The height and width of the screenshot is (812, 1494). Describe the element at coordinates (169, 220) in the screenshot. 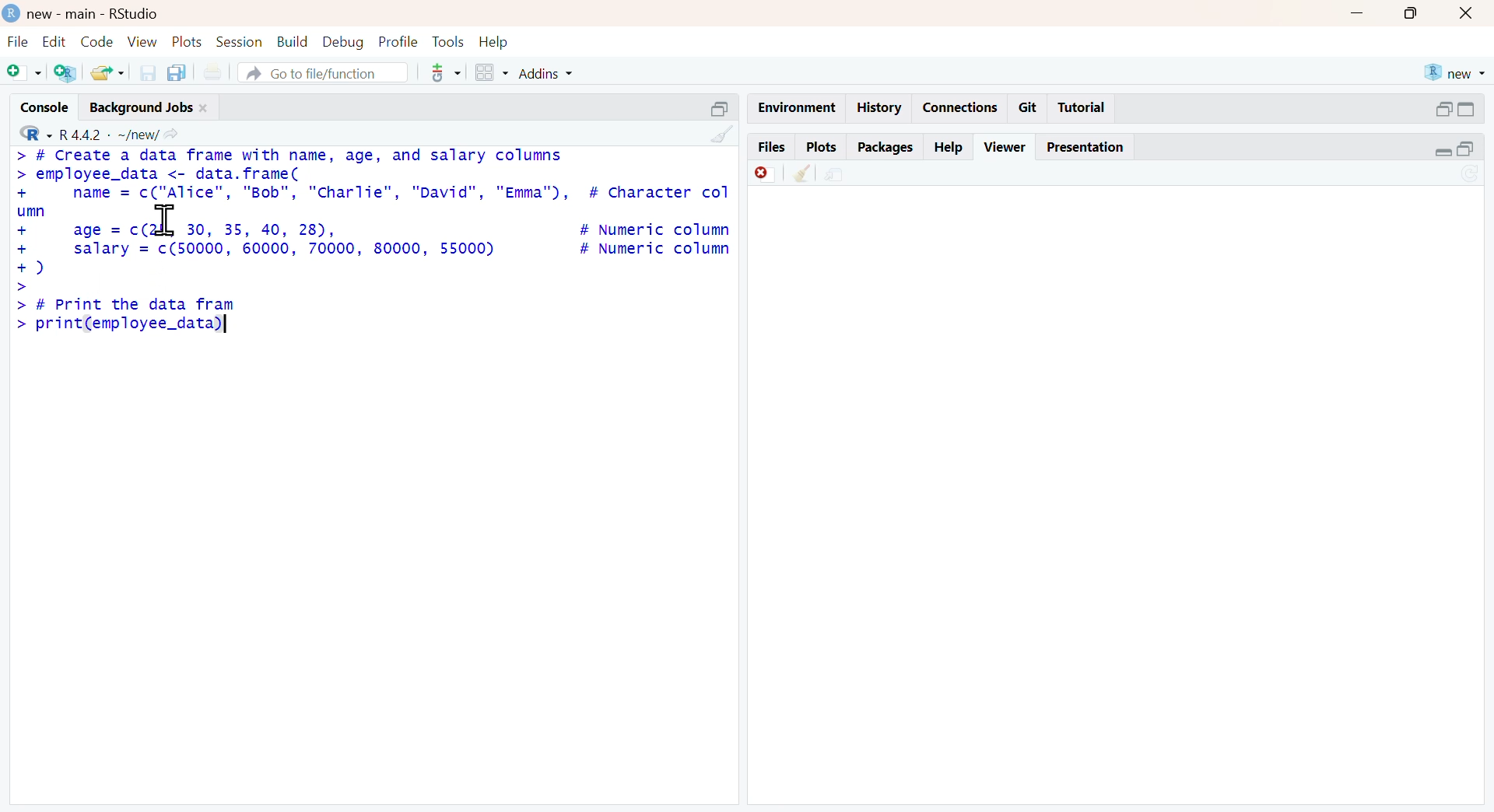

I see `cursor` at that location.